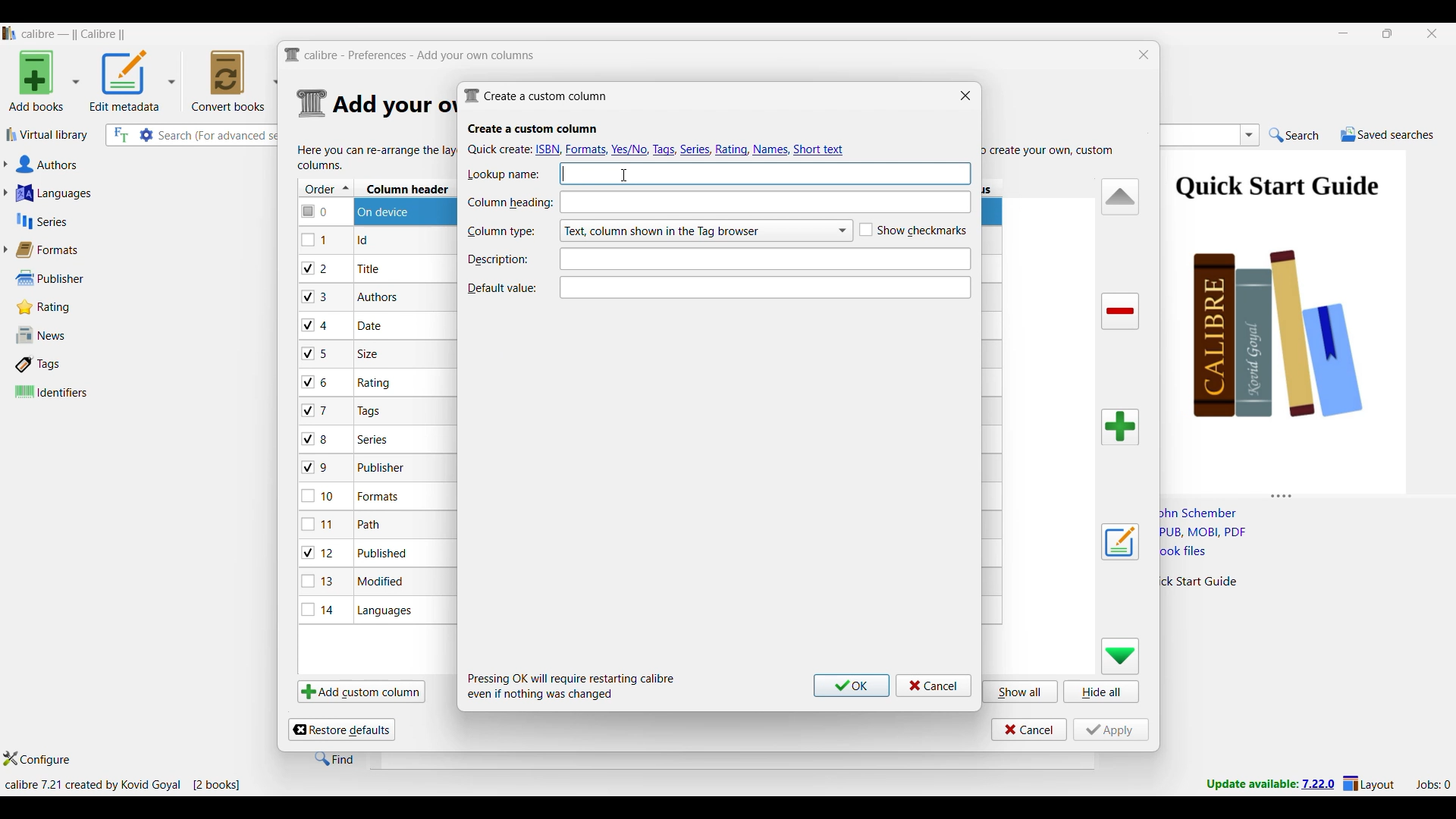  What do you see at coordinates (533, 129) in the screenshot?
I see `Section title` at bounding box center [533, 129].